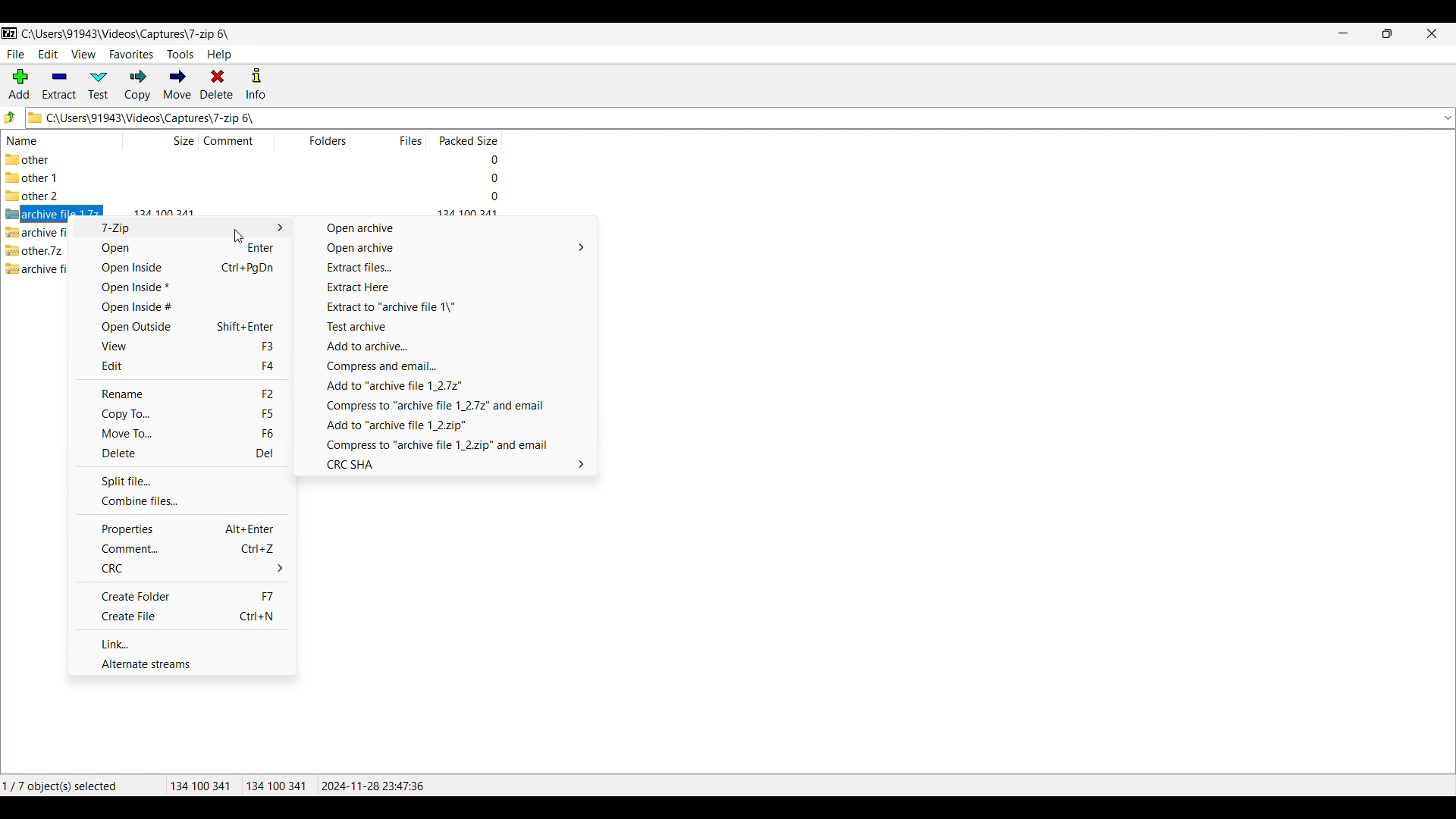 Image resolution: width=1456 pixels, height=819 pixels. What do you see at coordinates (180, 394) in the screenshot?
I see `Rename` at bounding box center [180, 394].